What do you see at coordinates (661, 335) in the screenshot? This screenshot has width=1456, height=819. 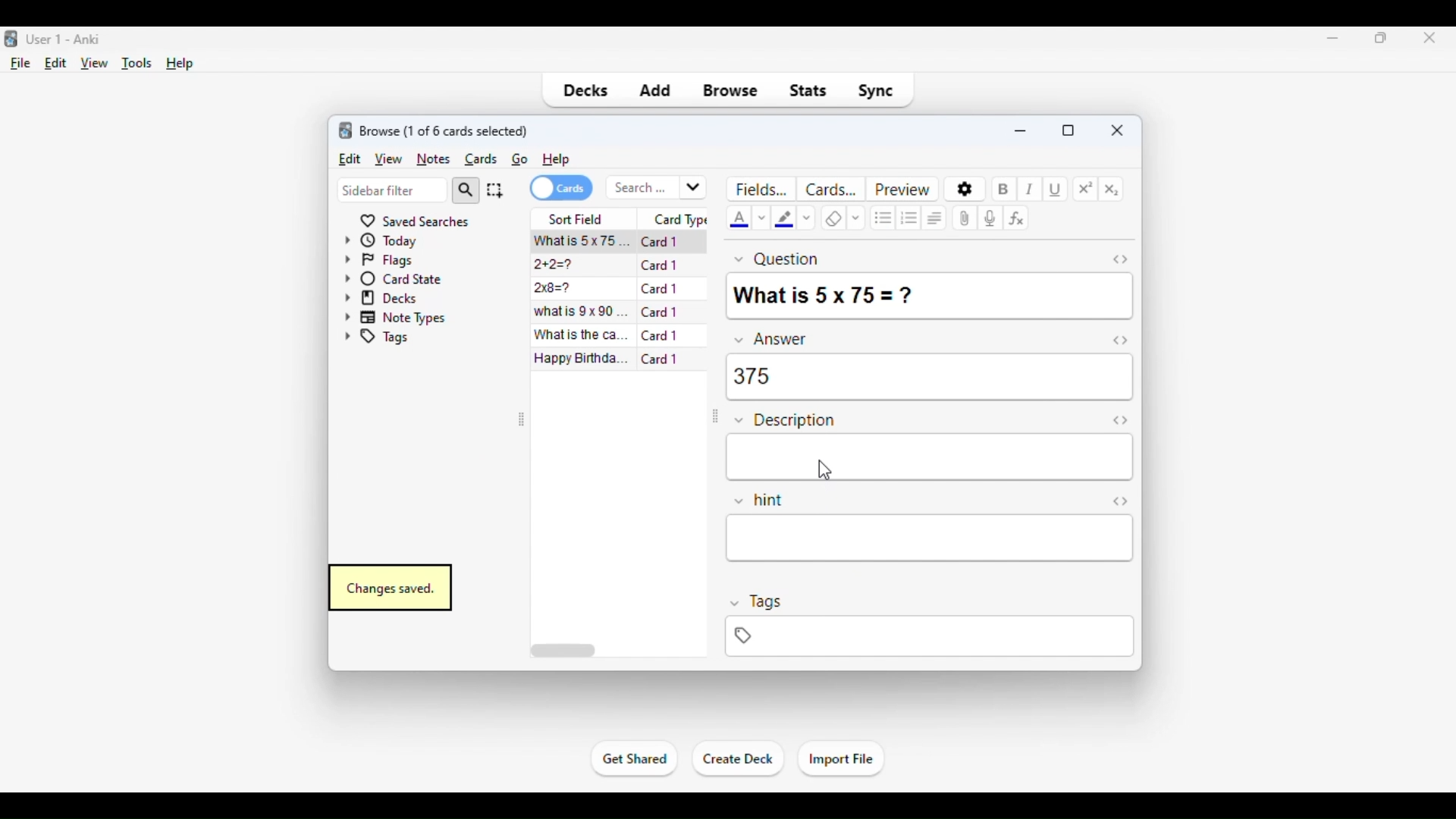 I see `card 1` at bounding box center [661, 335].